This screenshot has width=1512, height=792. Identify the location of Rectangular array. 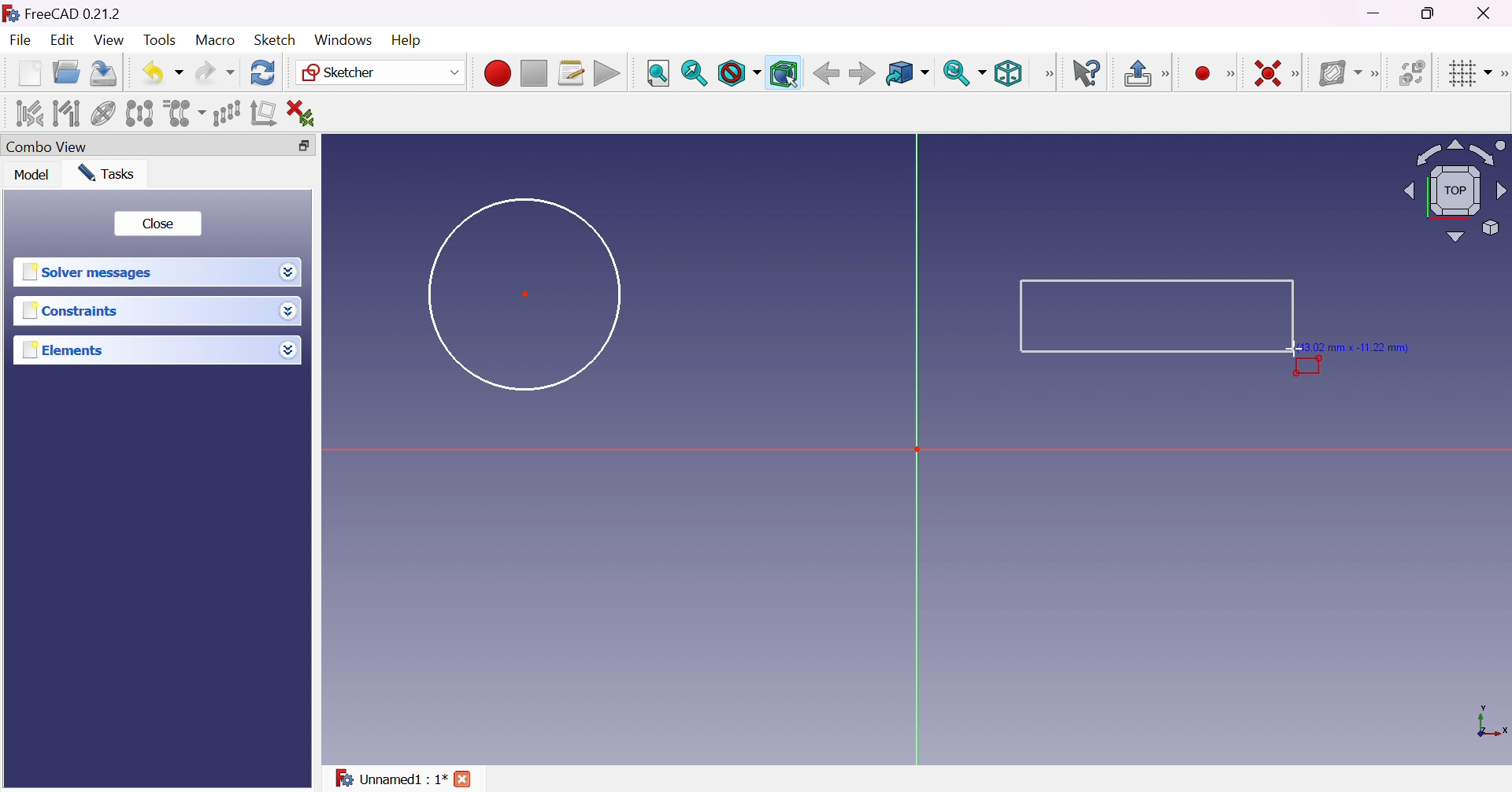
(226, 112).